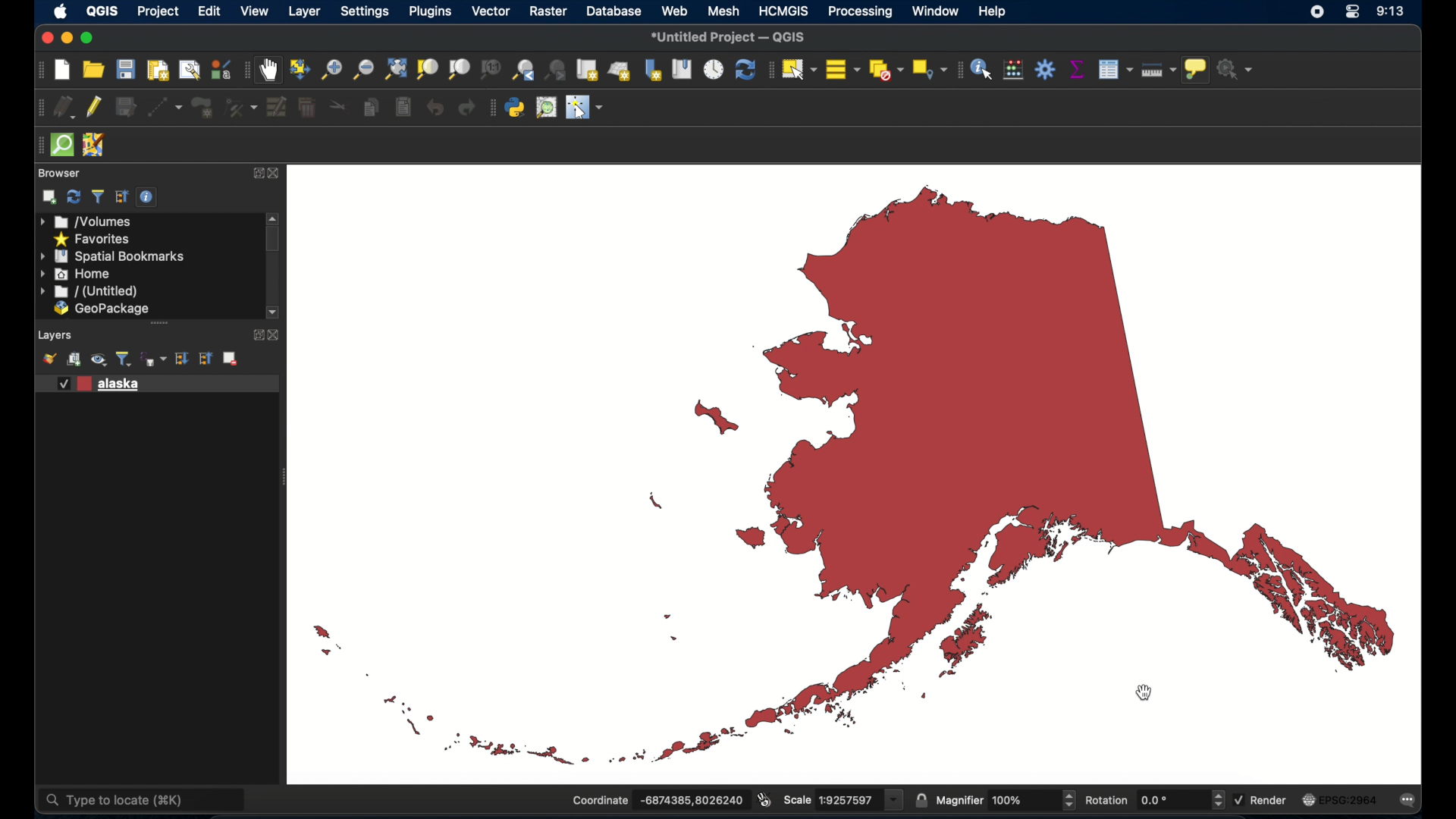 Image resolution: width=1456 pixels, height=819 pixels. What do you see at coordinates (998, 12) in the screenshot?
I see `help` at bounding box center [998, 12].